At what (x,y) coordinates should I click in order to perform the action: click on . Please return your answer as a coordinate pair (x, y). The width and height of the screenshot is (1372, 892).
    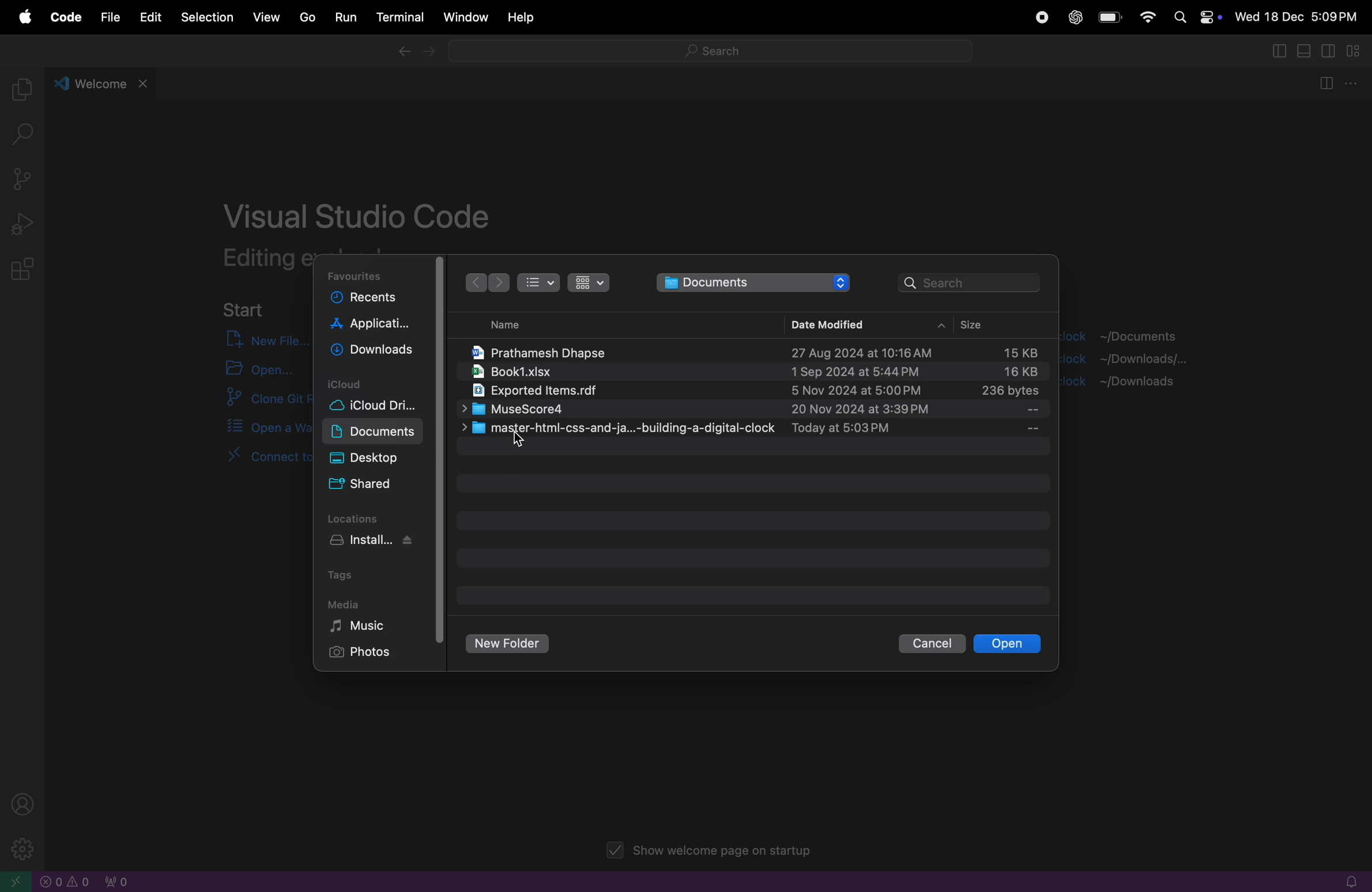
    Looking at the image, I should click on (1147, 16).